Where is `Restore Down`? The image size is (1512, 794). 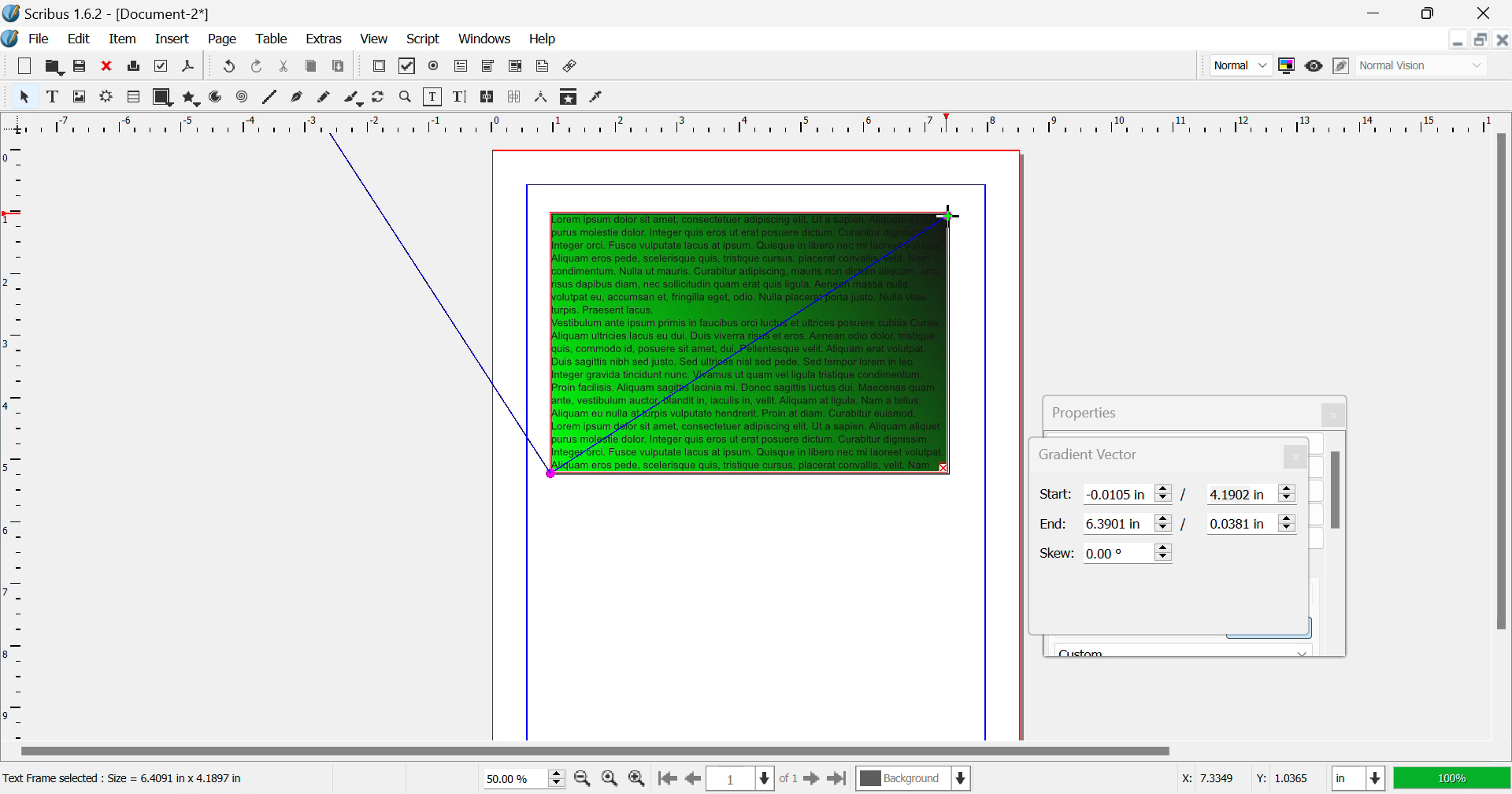 Restore Down is located at coordinates (1378, 13).